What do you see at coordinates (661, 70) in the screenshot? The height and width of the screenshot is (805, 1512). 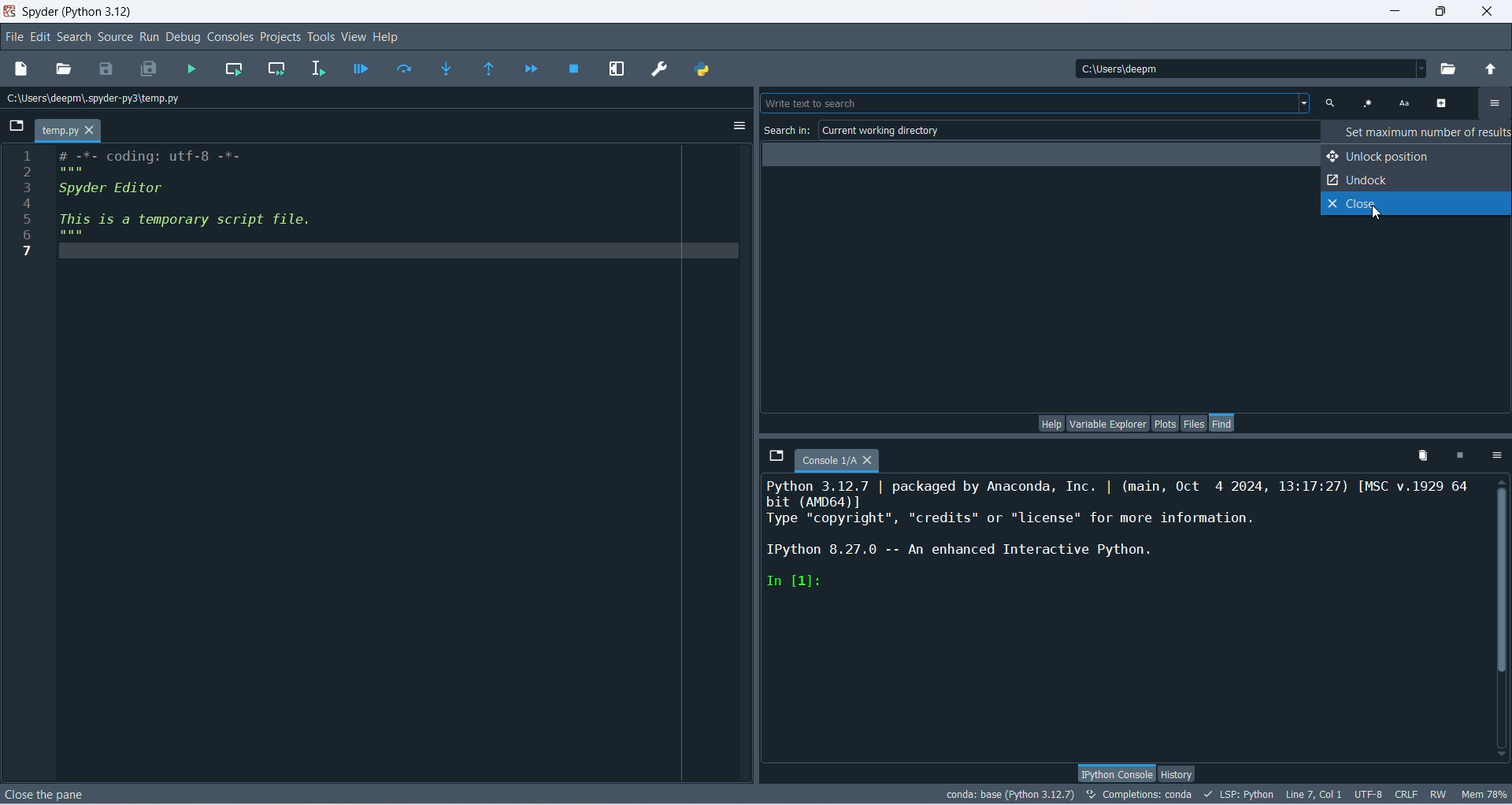 I see `preferences` at bounding box center [661, 70].